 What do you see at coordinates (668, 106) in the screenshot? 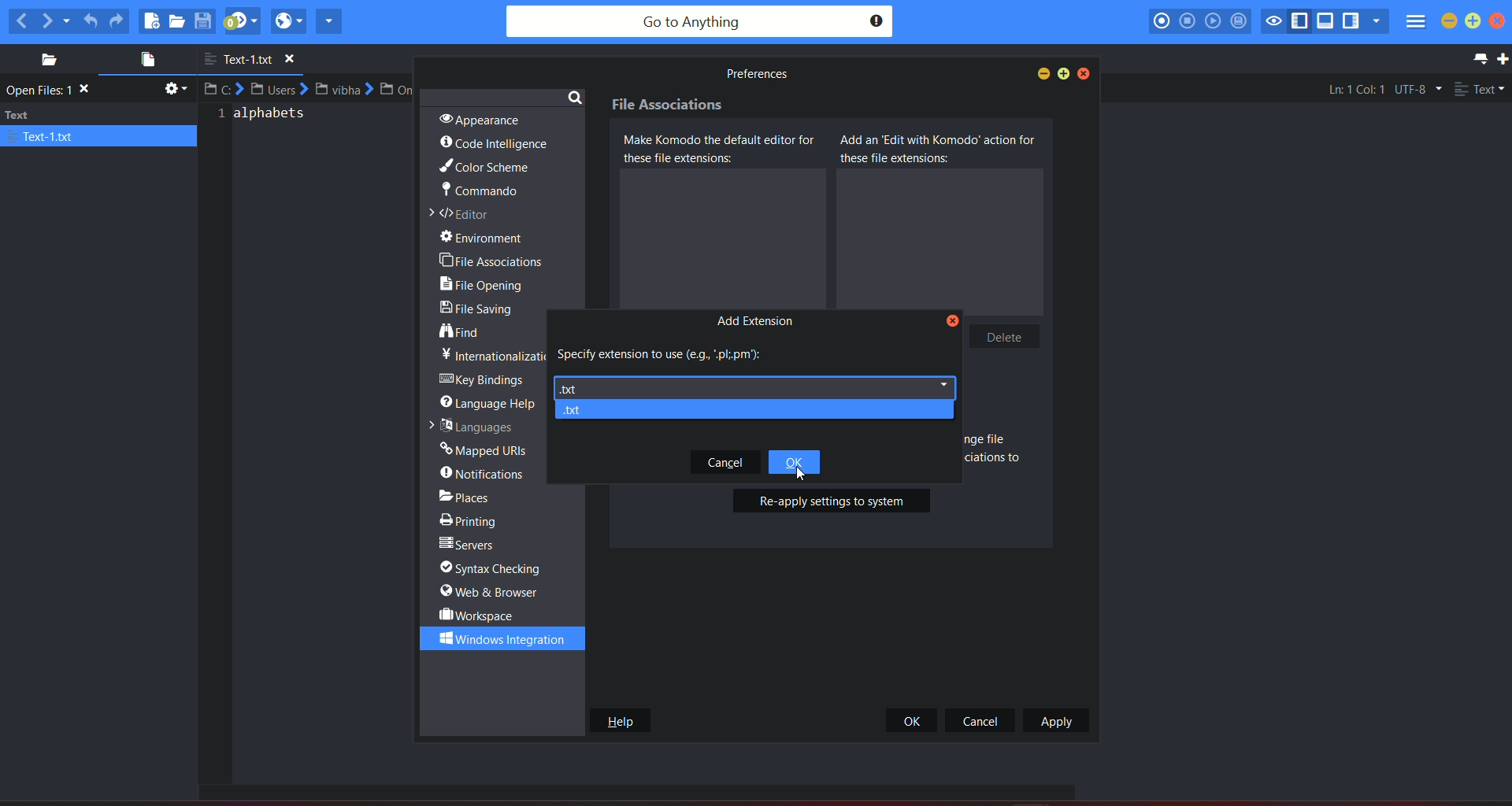
I see `File associations` at bounding box center [668, 106].